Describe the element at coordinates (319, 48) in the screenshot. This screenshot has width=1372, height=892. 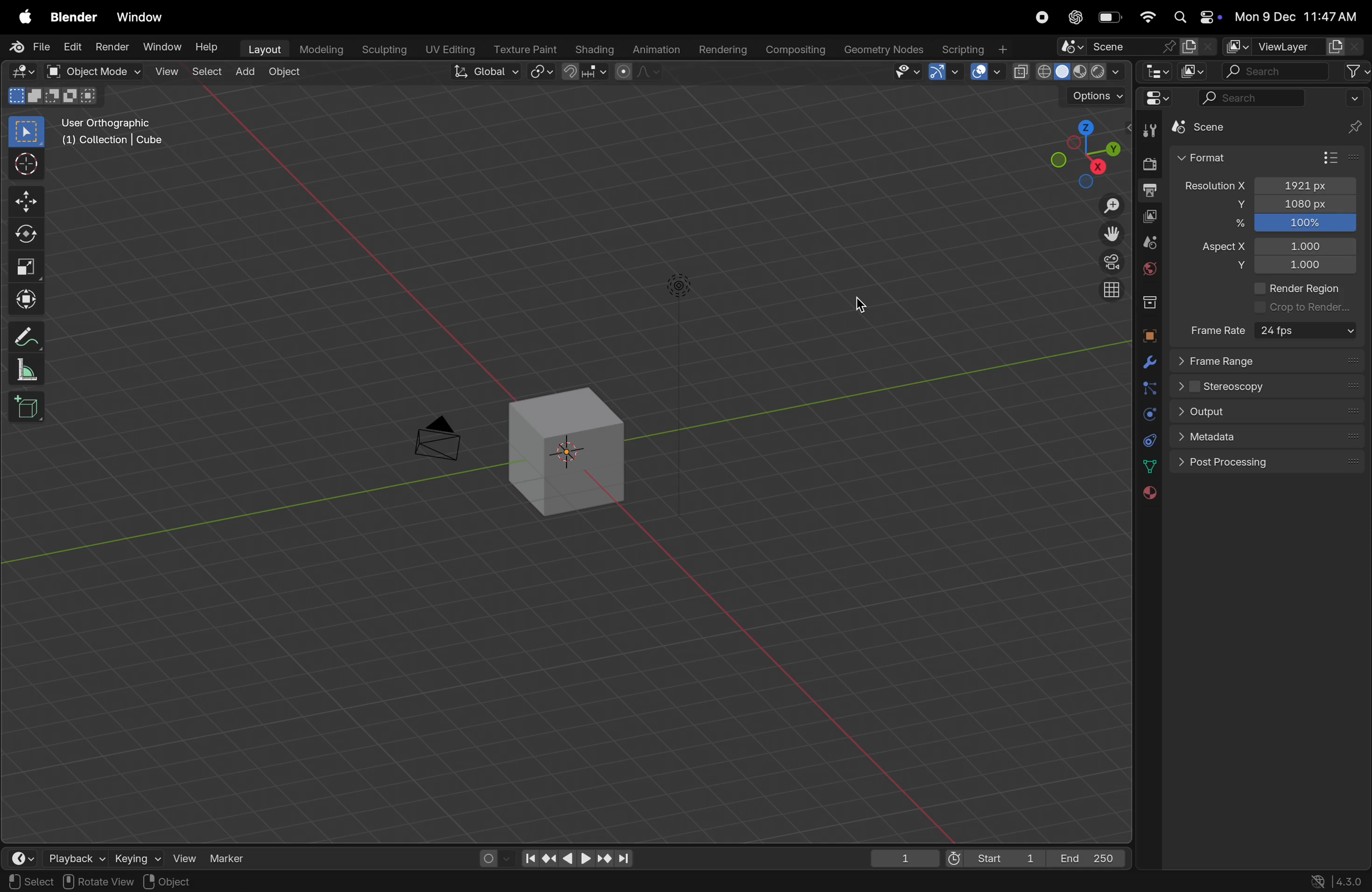
I see `modelling` at that location.